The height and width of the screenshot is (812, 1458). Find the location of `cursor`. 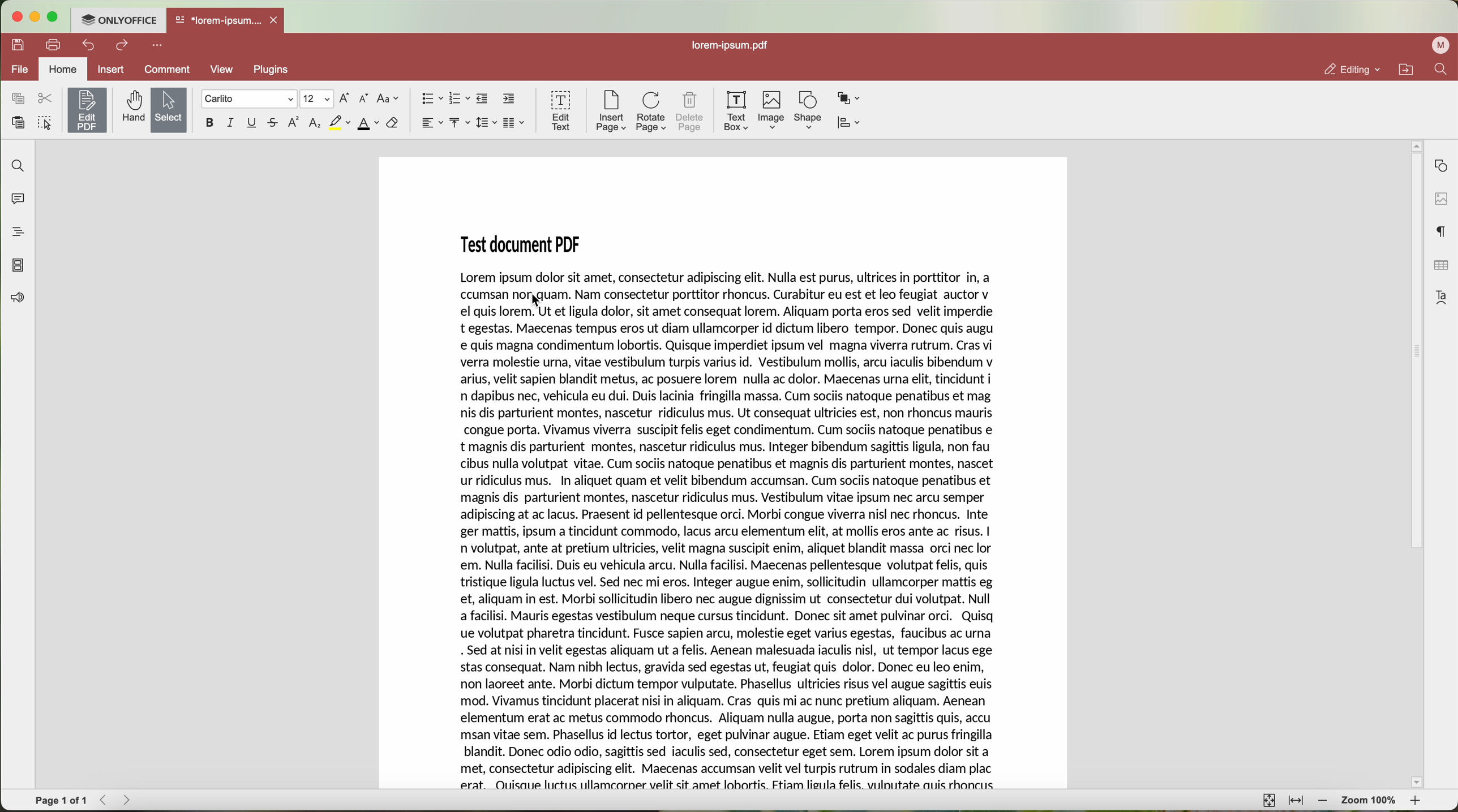

cursor is located at coordinates (538, 302).